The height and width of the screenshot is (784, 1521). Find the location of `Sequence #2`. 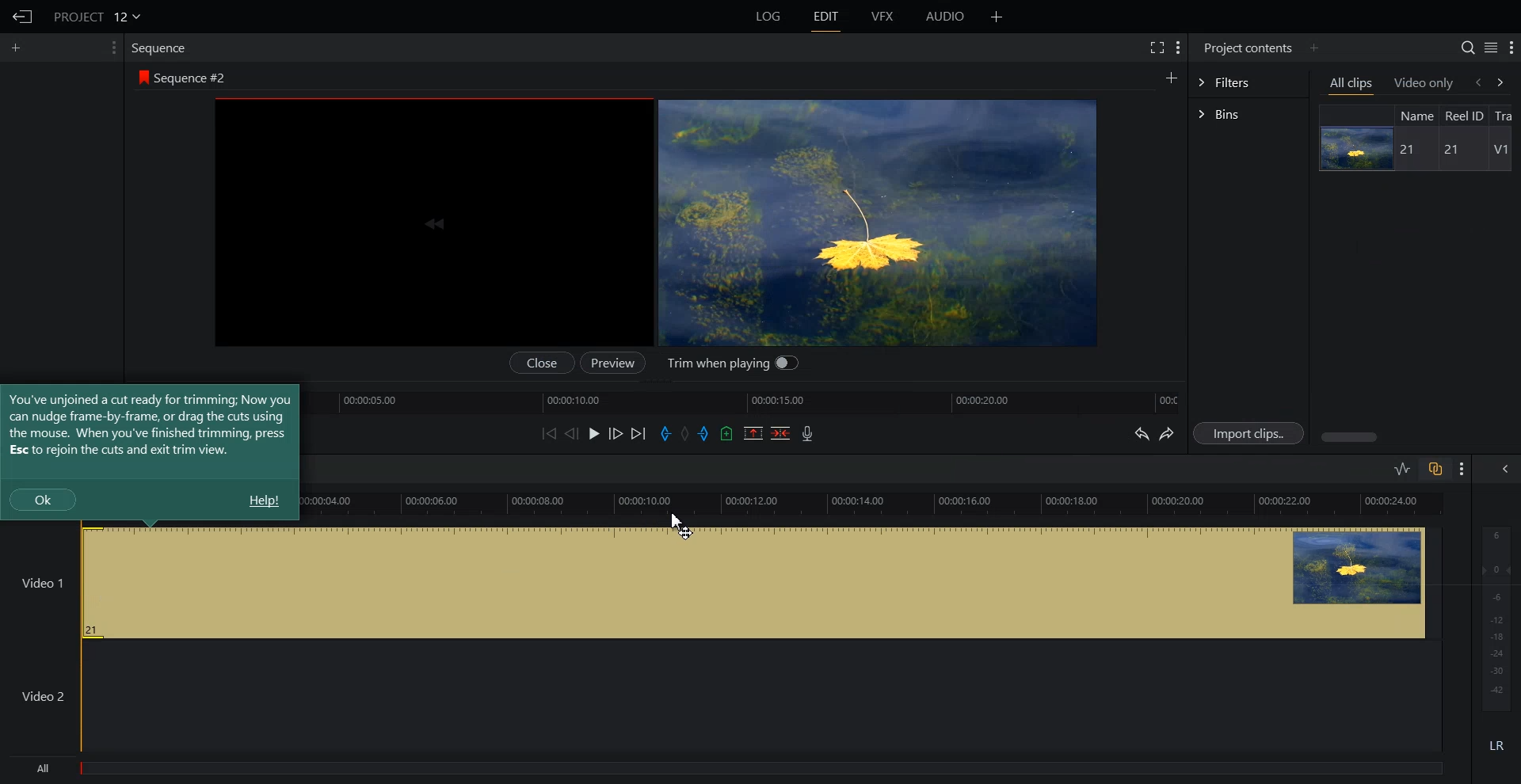

Sequence #2 is located at coordinates (193, 75).